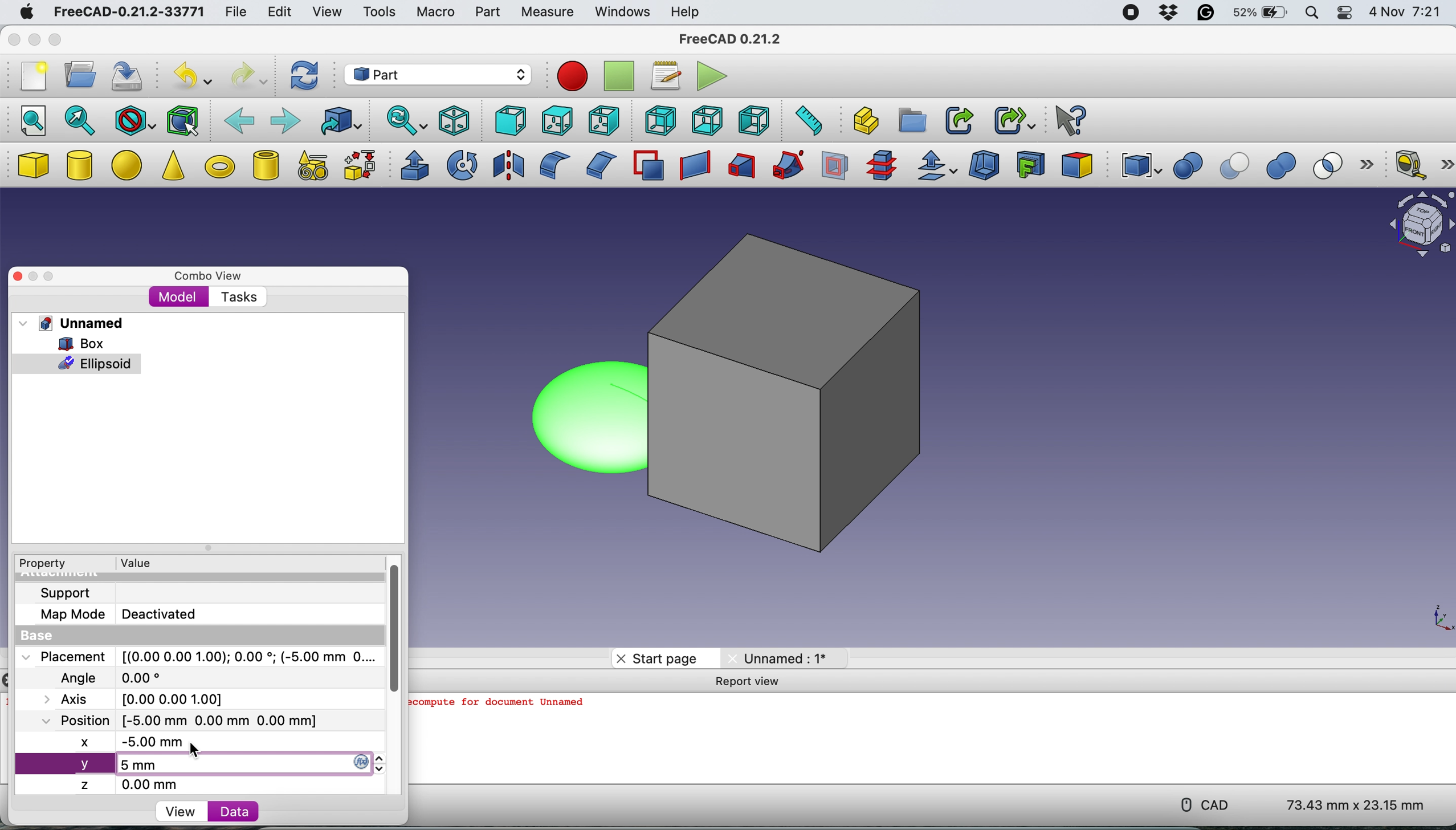  Describe the element at coordinates (178, 296) in the screenshot. I see `model` at that location.